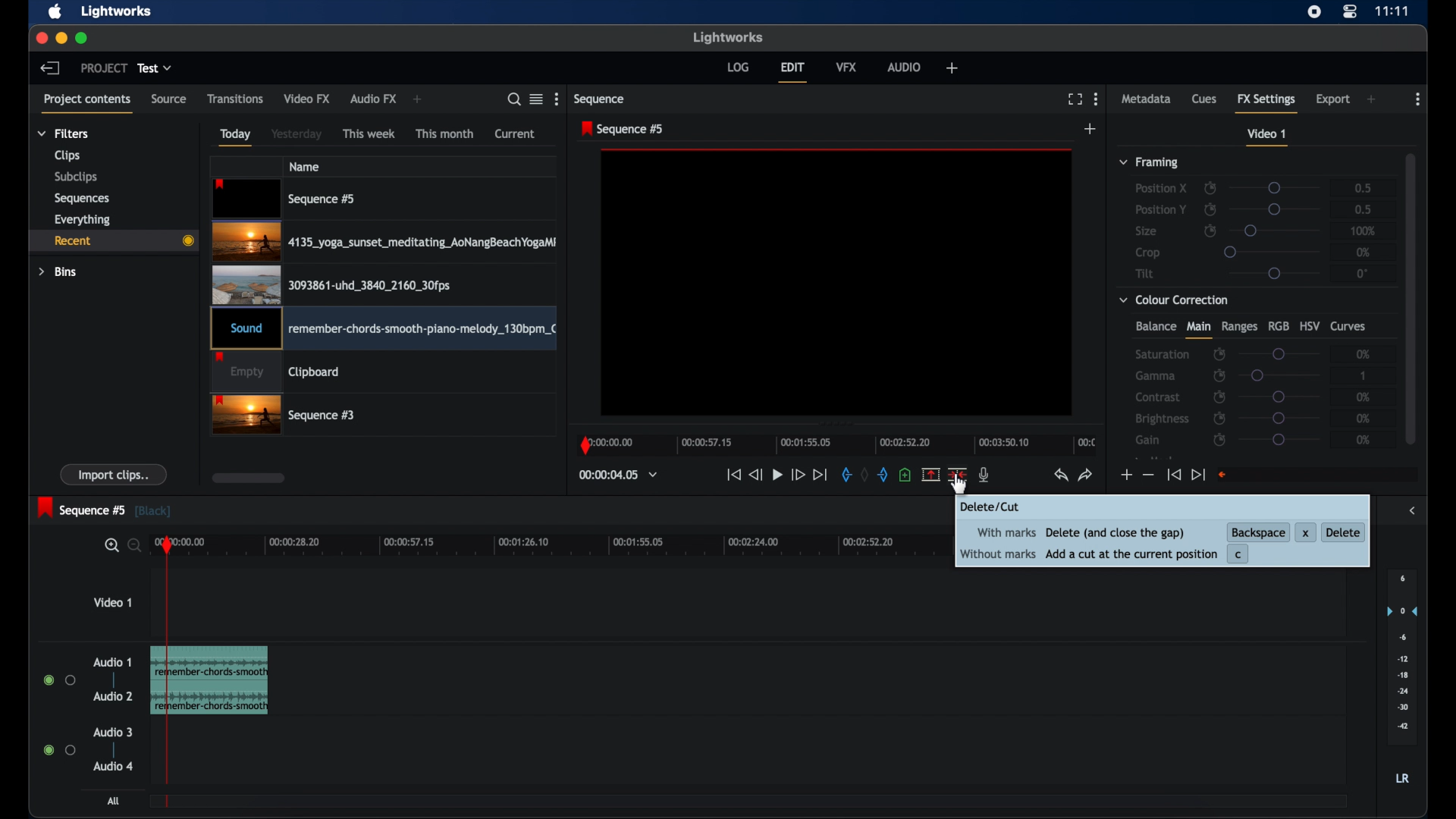 Image resolution: width=1456 pixels, height=819 pixels. I want to click on out mark, so click(882, 475).